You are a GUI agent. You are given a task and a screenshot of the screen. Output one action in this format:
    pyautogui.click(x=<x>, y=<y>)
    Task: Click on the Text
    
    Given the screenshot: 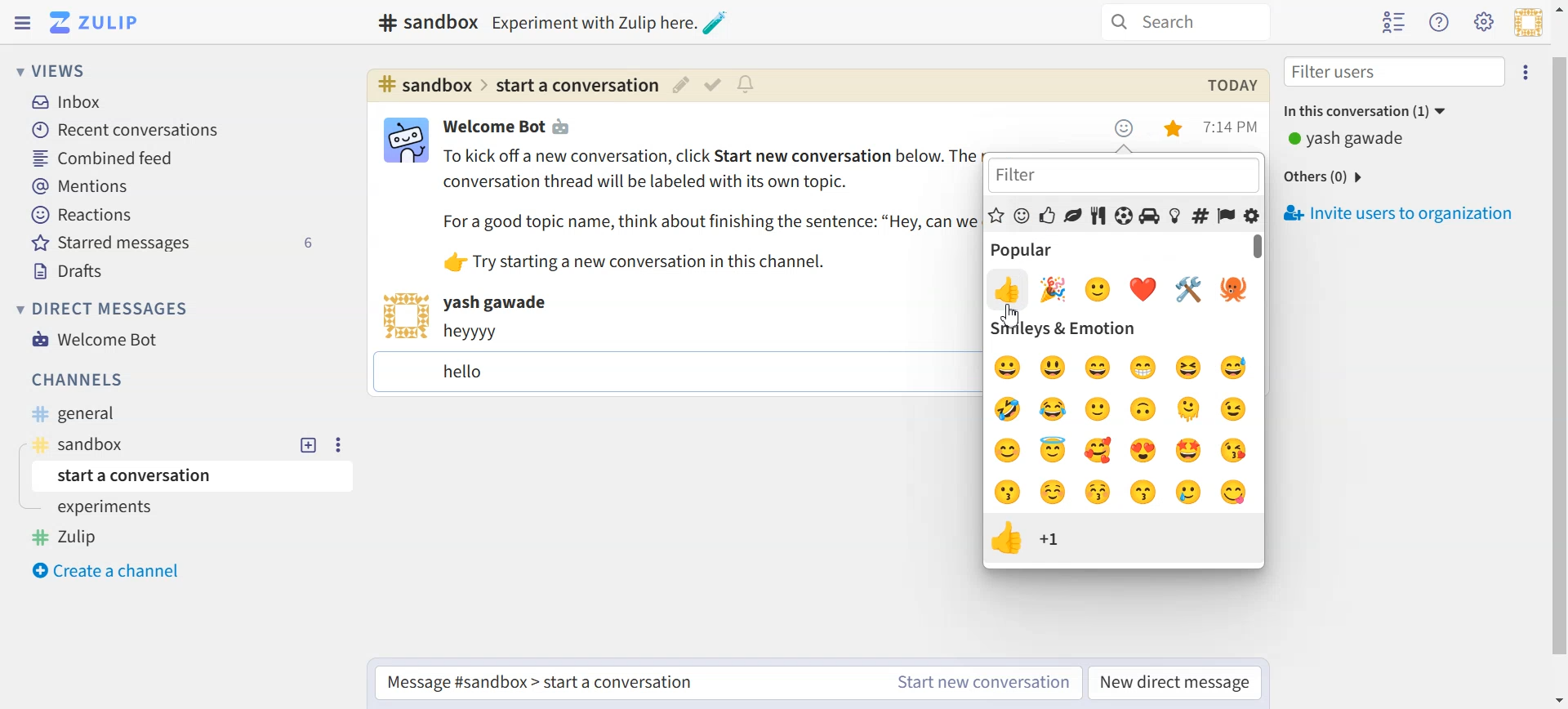 What is the action you would take?
    pyautogui.click(x=614, y=375)
    